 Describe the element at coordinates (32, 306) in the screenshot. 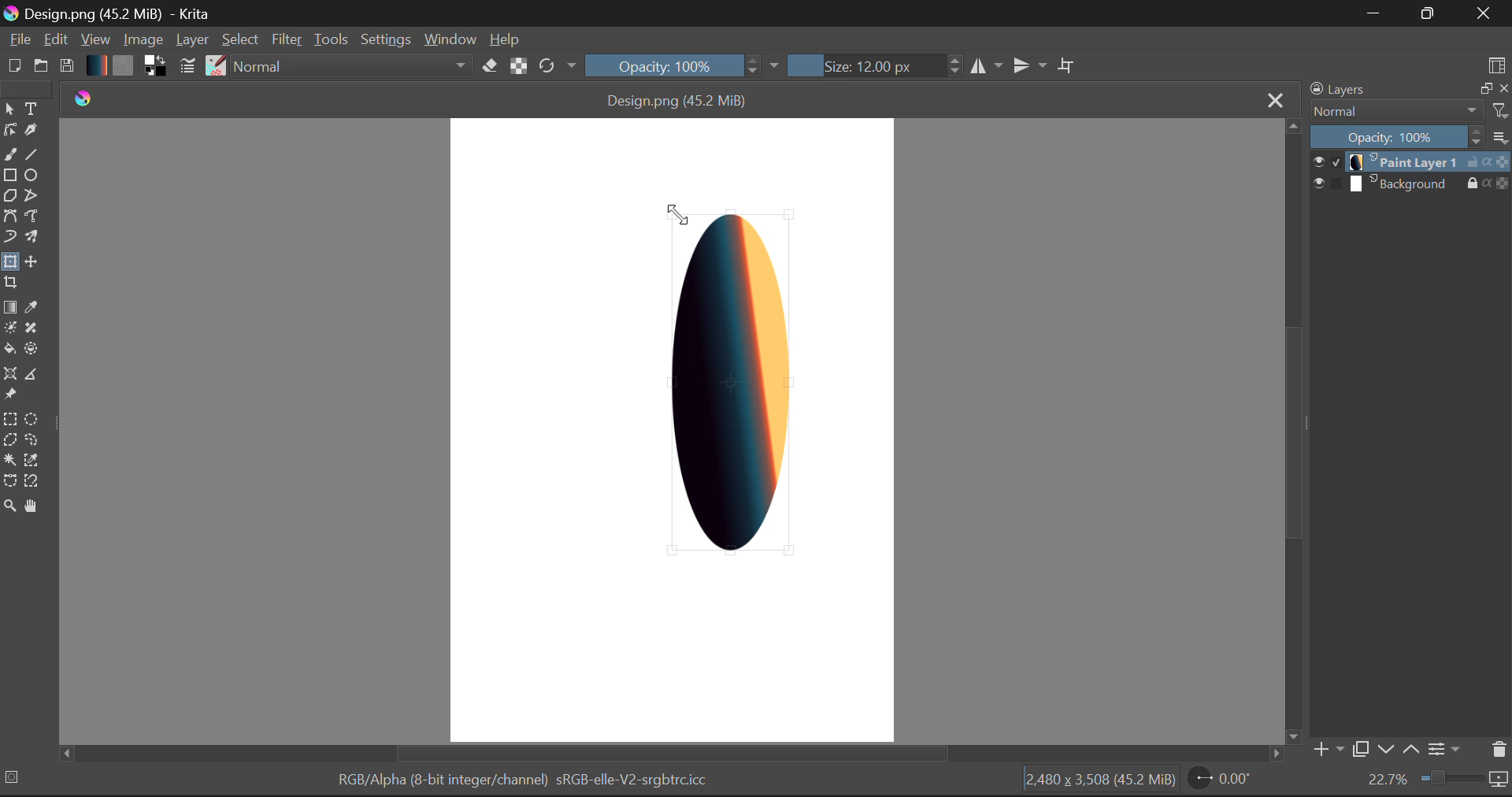

I see `Eyedropper` at that location.